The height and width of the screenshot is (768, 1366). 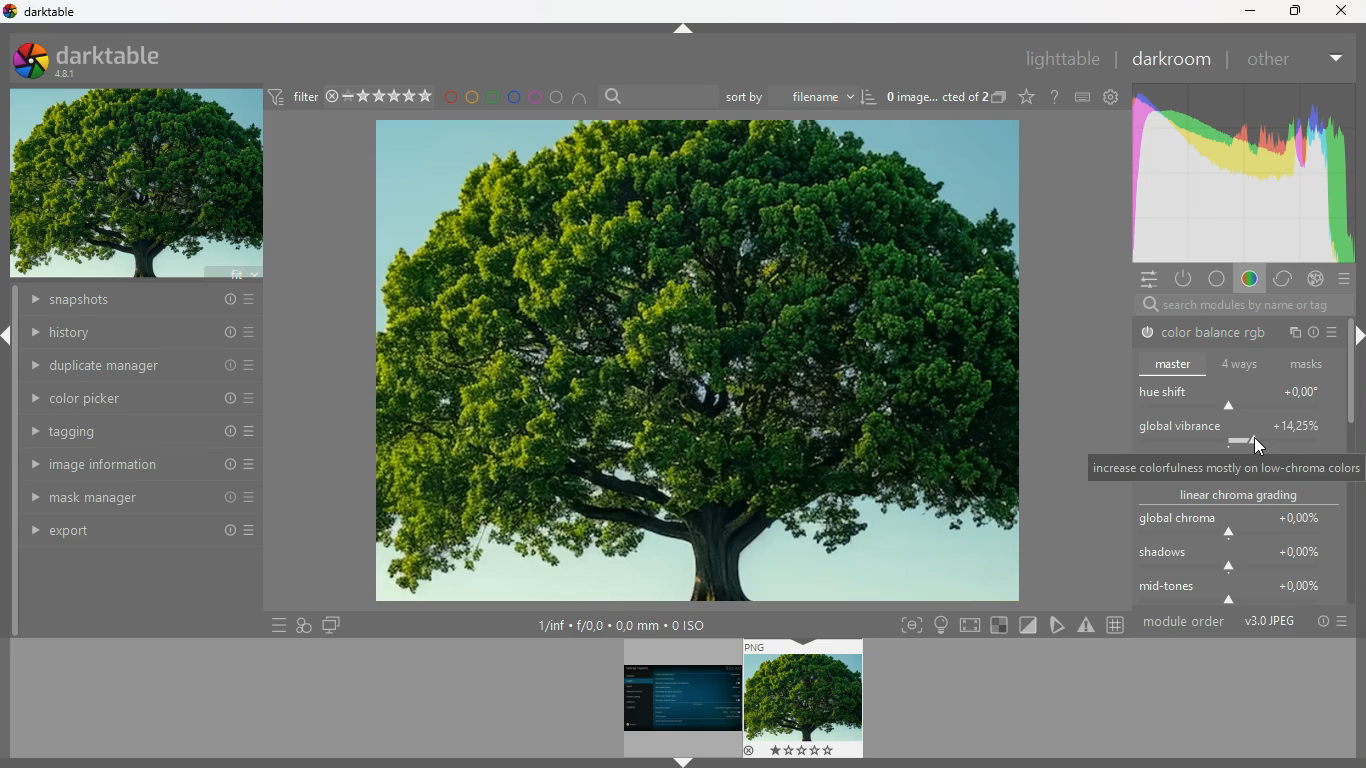 What do you see at coordinates (9, 337) in the screenshot?
I see `arrow` at bounding box center [9, 337].